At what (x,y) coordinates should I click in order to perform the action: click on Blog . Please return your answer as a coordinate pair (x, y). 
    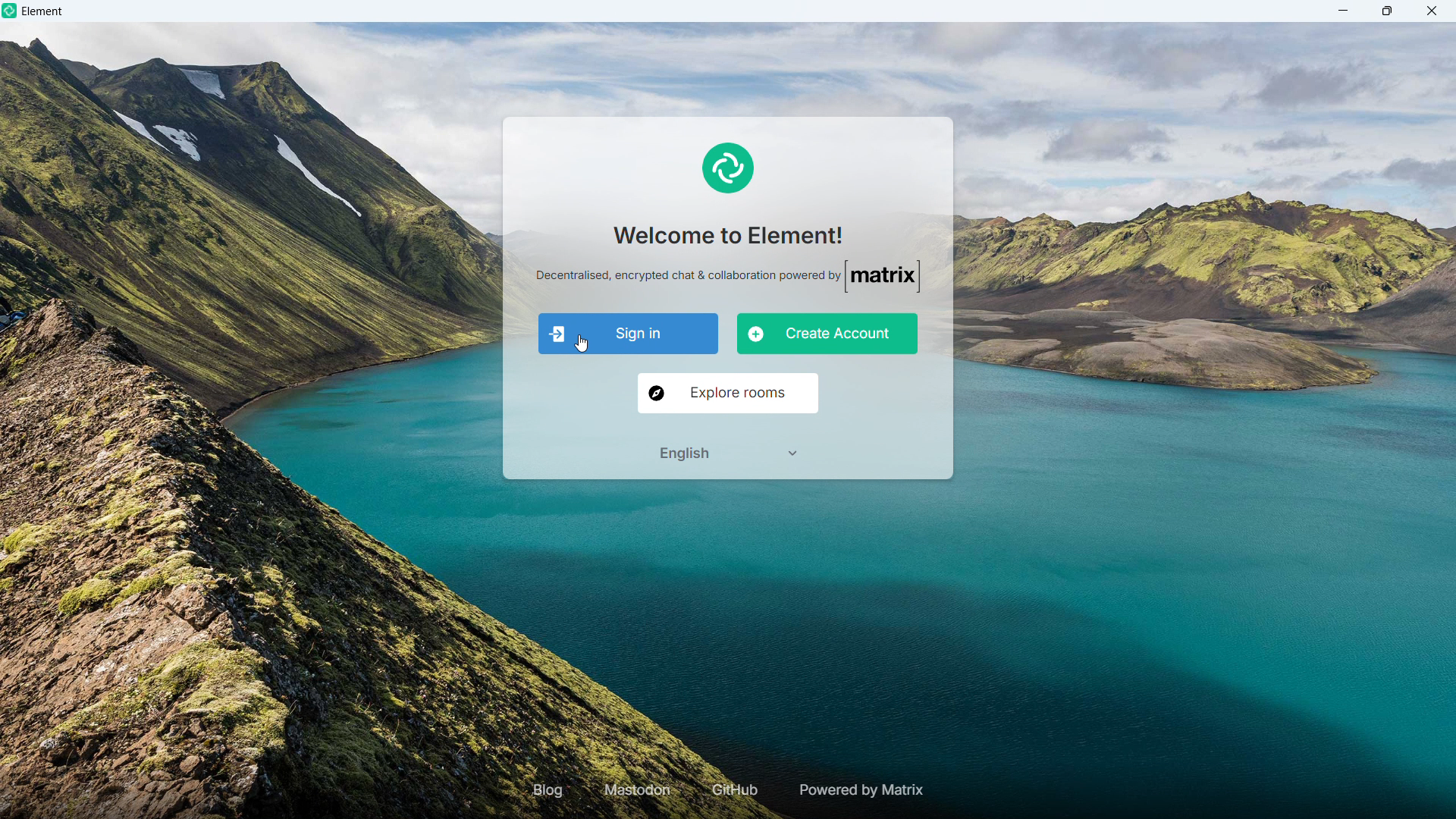
    Looking at the image, I should click on (548, 789).